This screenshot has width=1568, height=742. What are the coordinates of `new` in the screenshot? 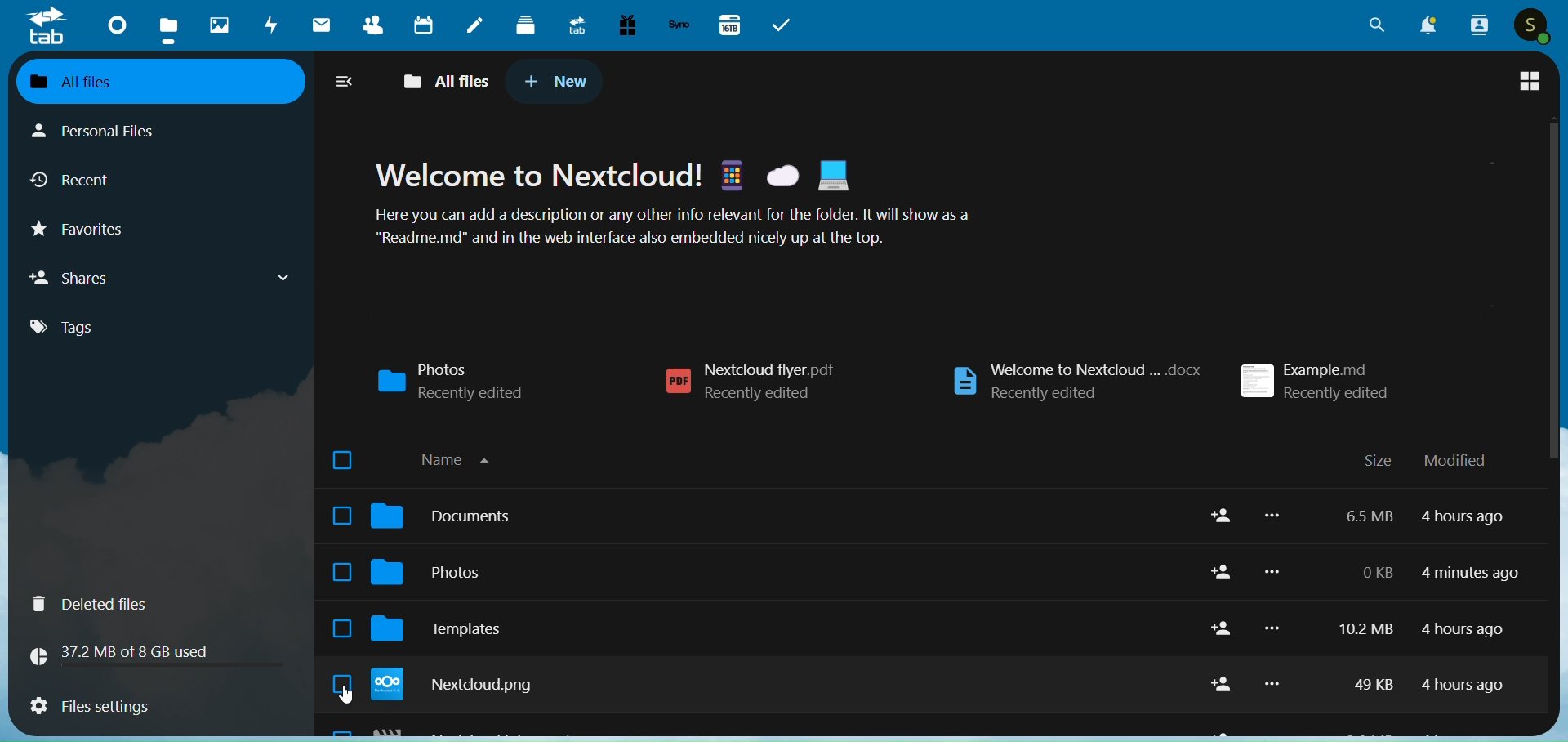 It's located at (558, 83).